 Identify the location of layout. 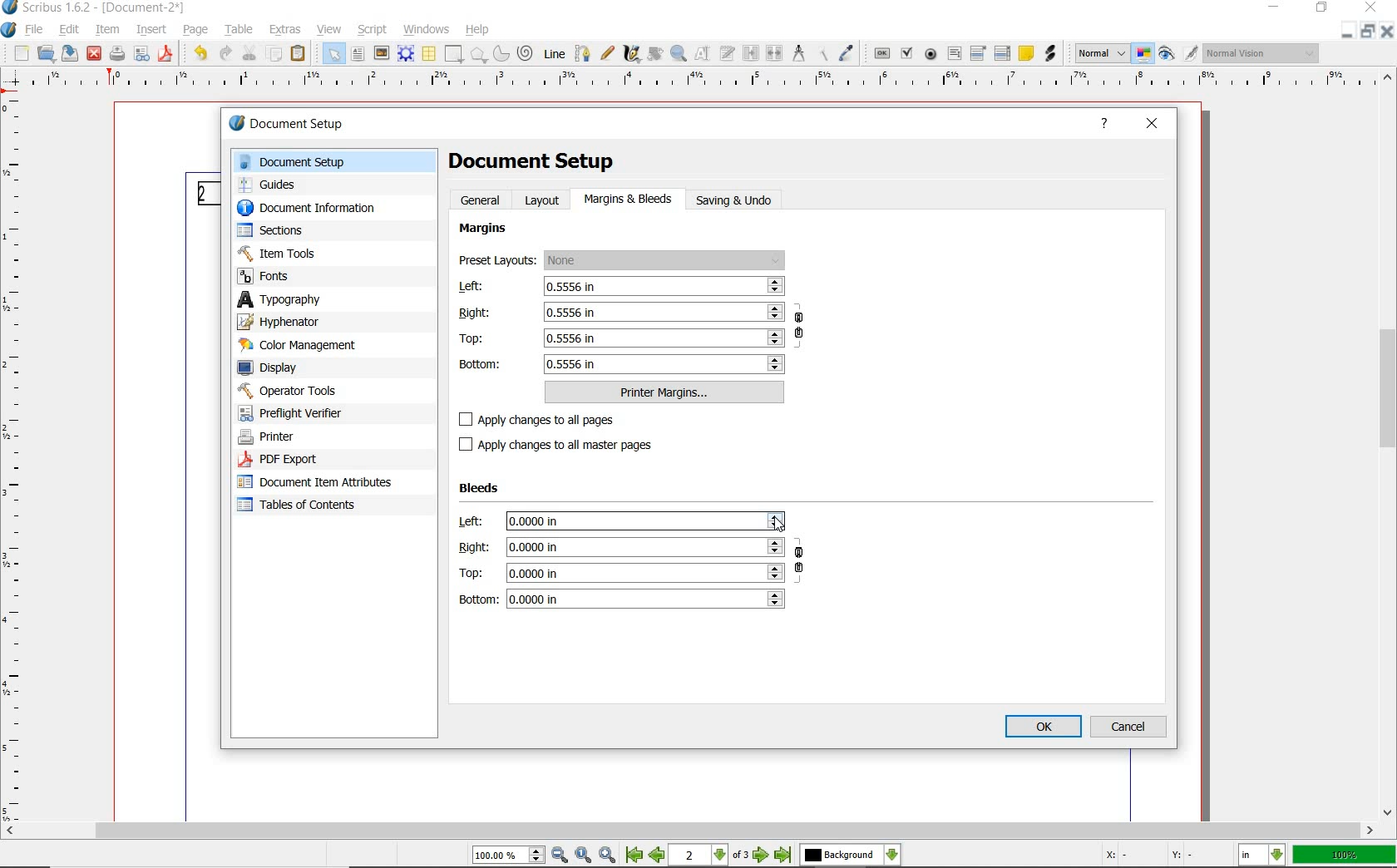
(545, 200).